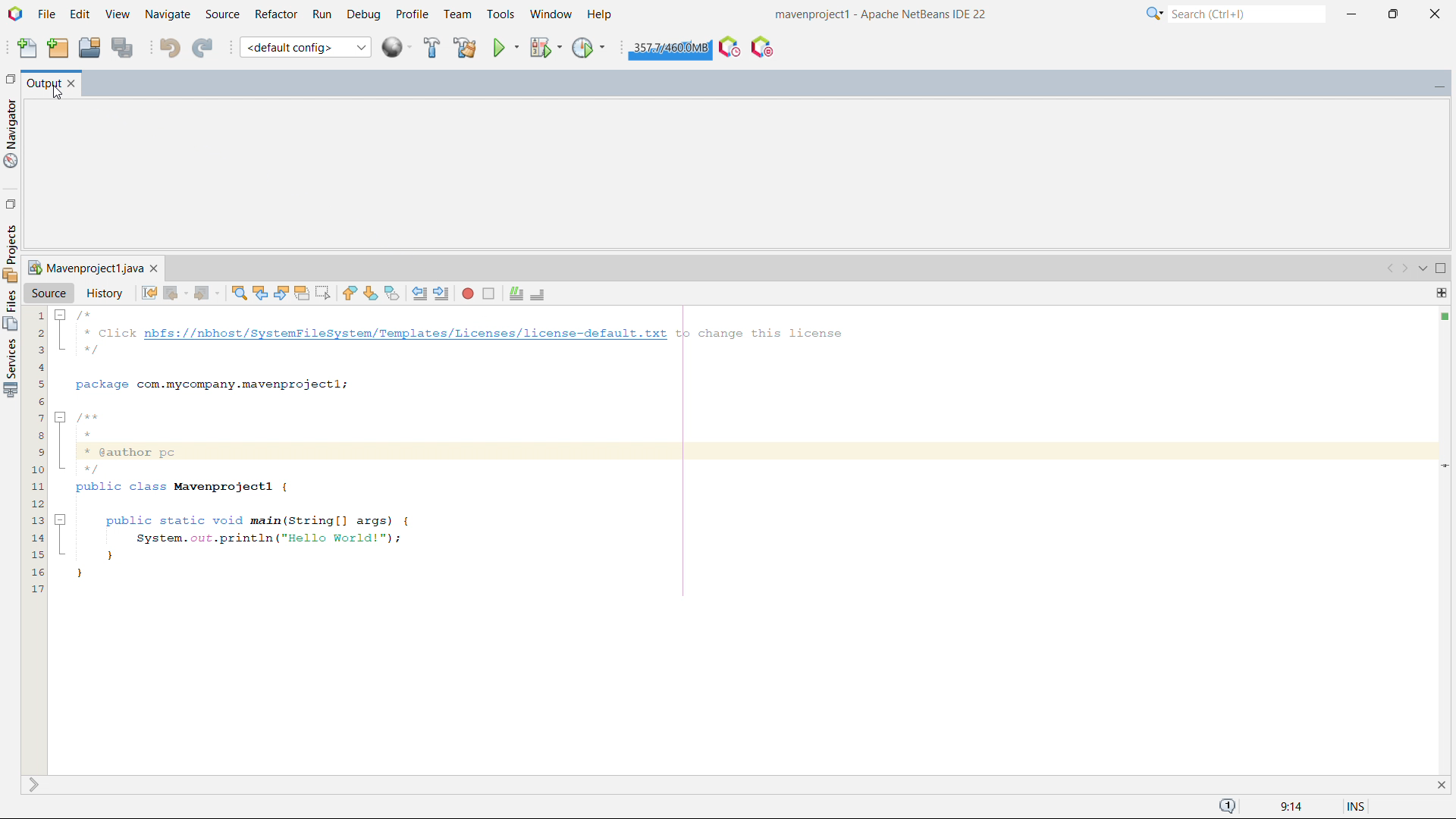 The image size is (1456, 819). What do you see at coordinates (1436, 14) in the screenshot?
I see `close` at bounding box center [1436, 14].